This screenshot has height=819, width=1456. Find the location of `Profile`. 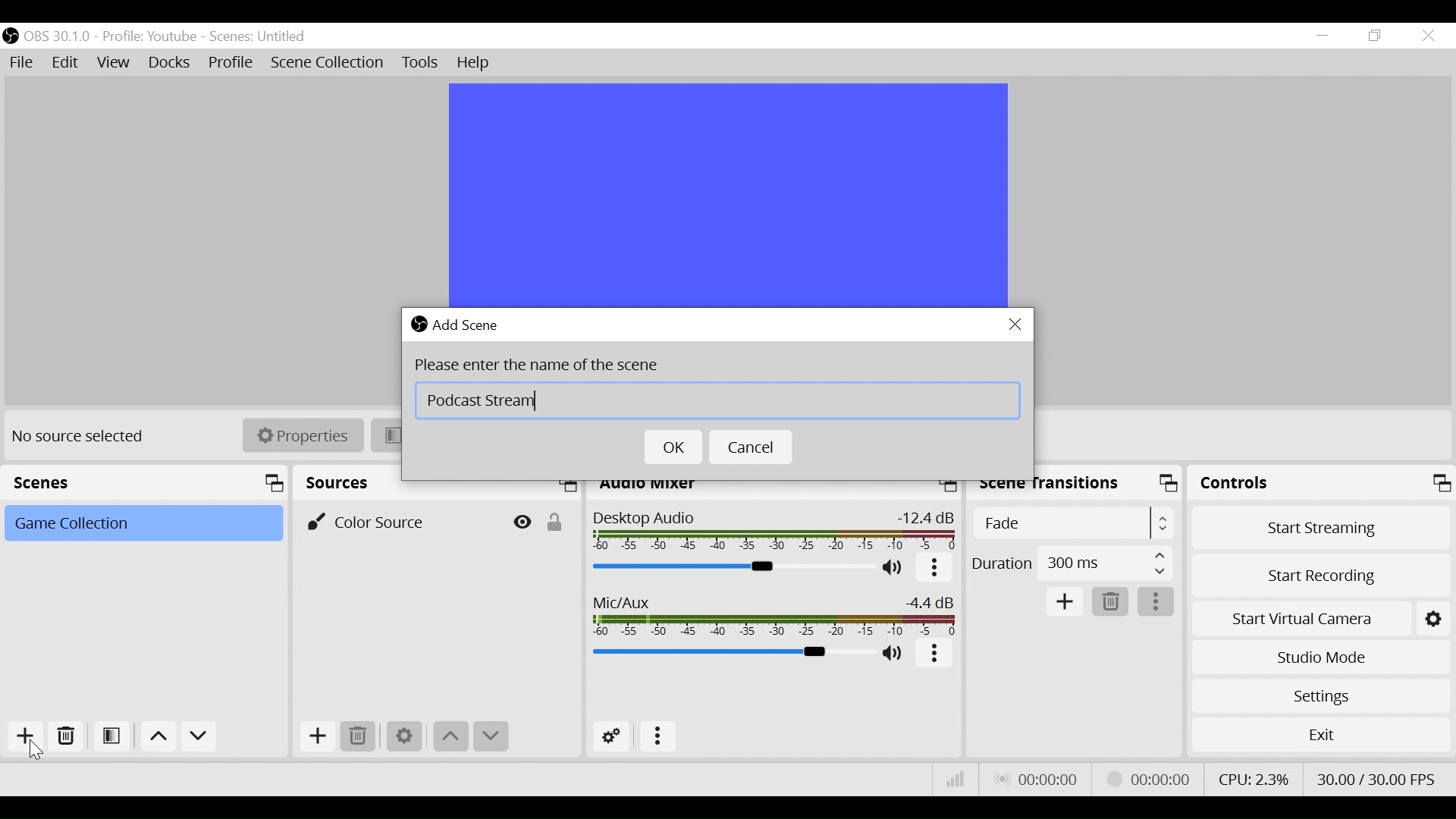

Profile is located at coordinates (231, 64).